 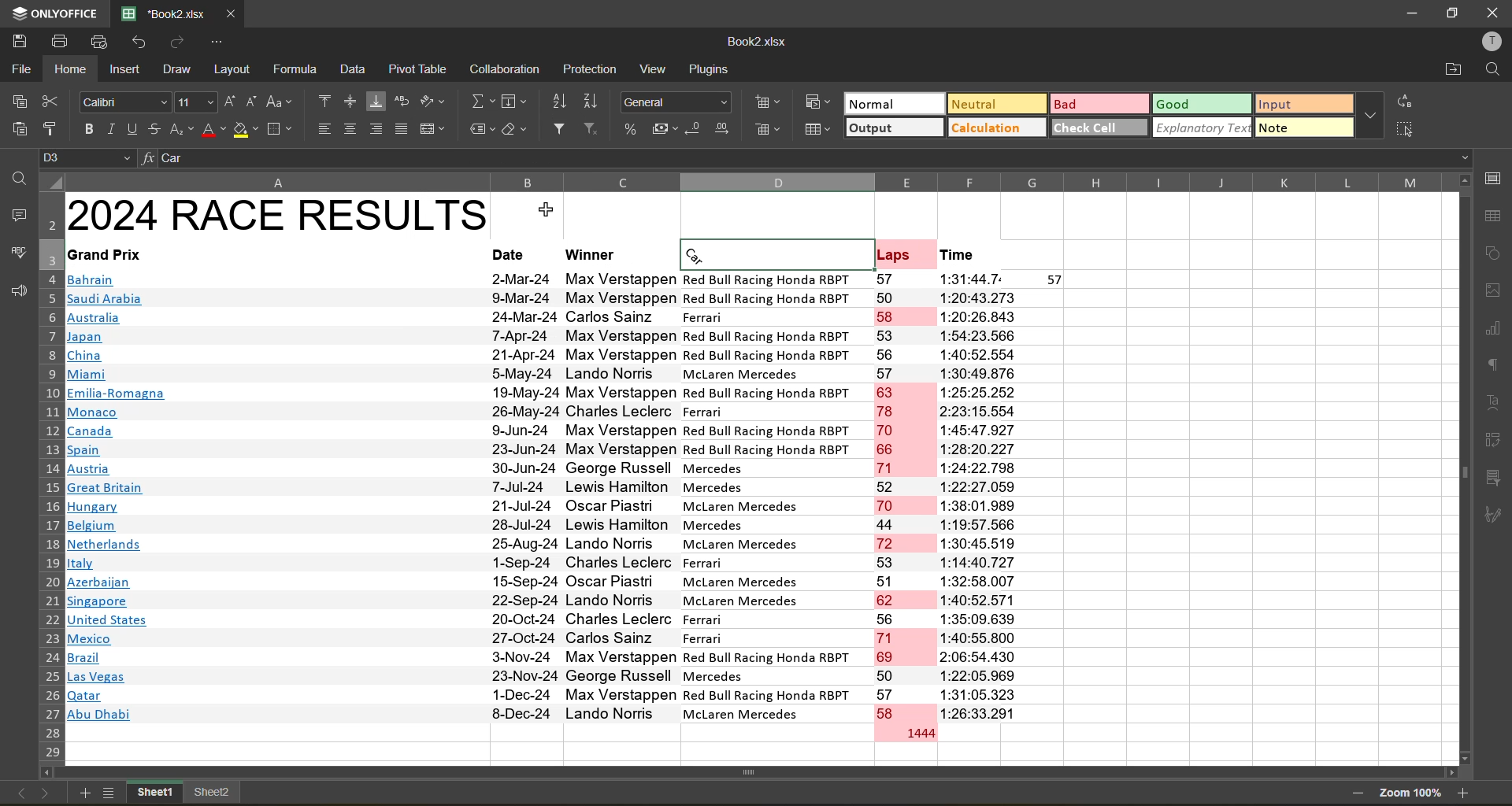 What do you see at coordinates (51, 100) in the screenshot?
I see `cut` at bounding box center [51, 100].